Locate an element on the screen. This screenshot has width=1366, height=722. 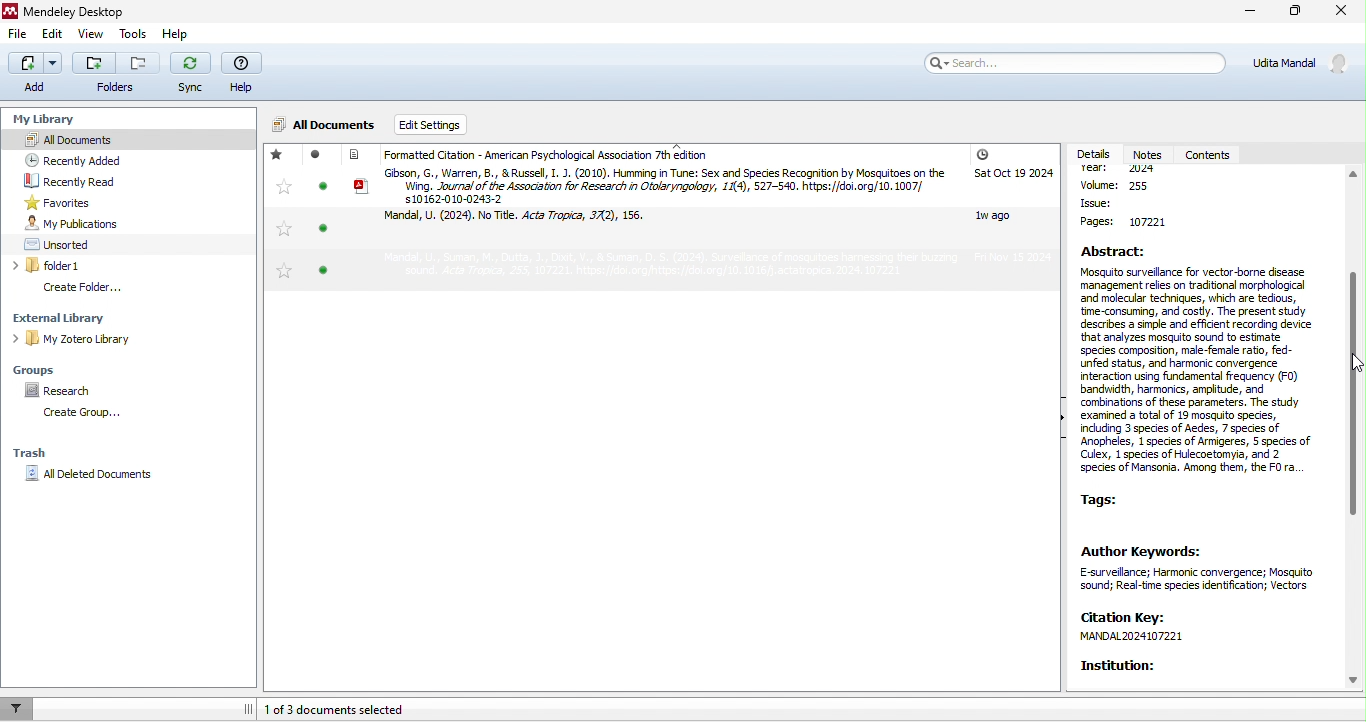
folders is located at coordinates (117, 75).